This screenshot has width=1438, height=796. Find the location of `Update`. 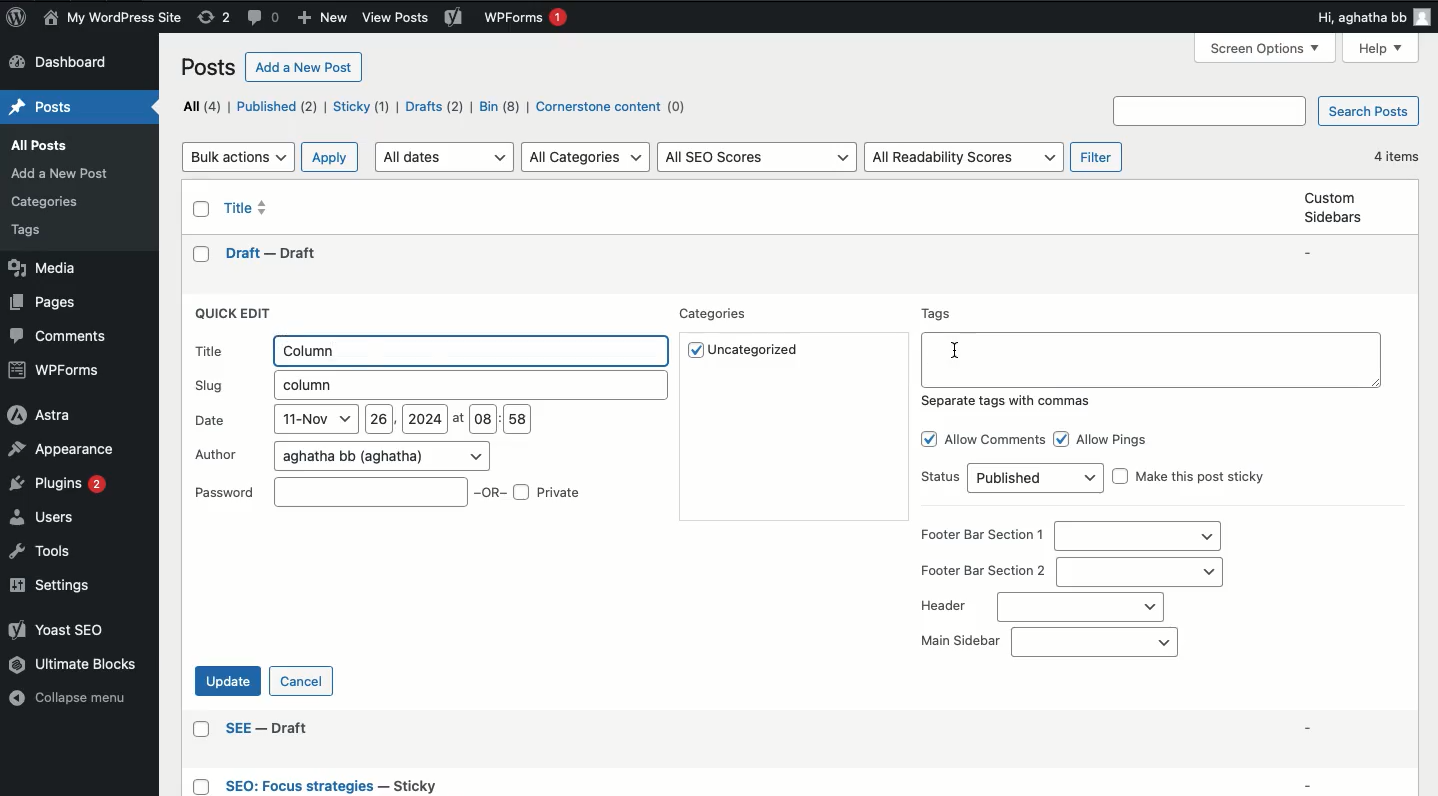

Update is located at coordinates (231, 680).